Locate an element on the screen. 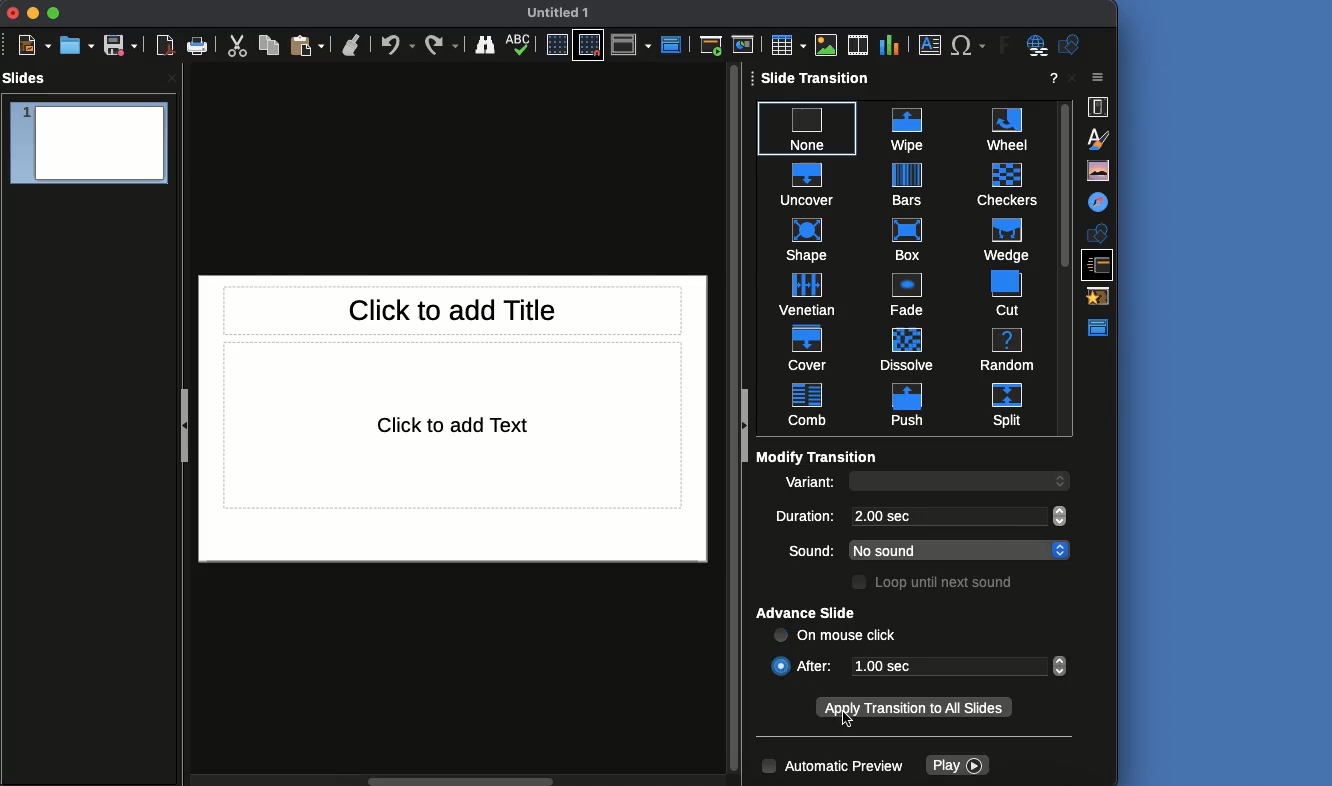 The image size is (1332, 786). Start from first slide is located at coordinates (710, 46).